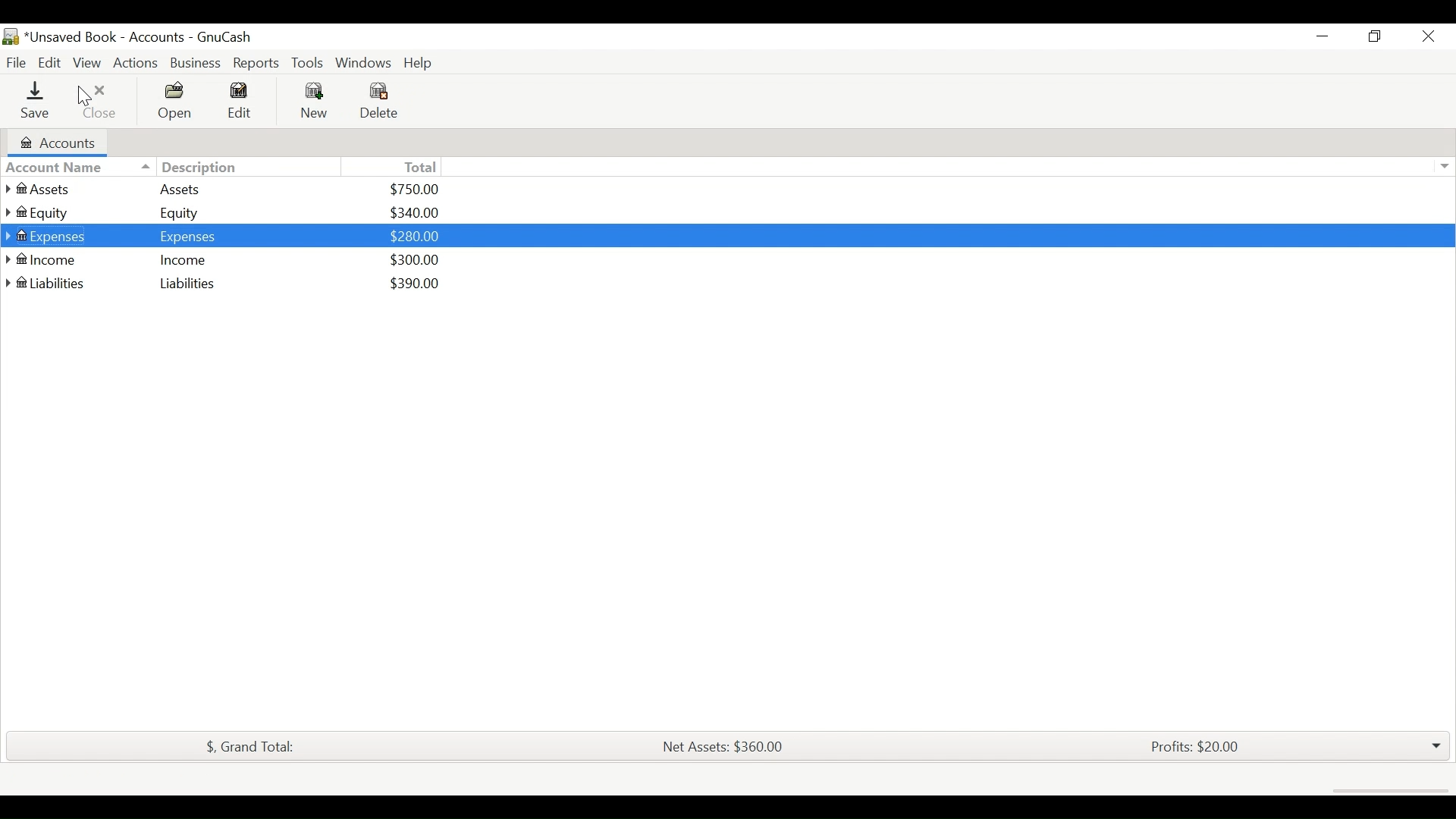 This screenshot has height=819, width=1456. What do you see at coordinates (1196, 748) in the screenshot?
I see `Profits` at bounding box center [1196, 748].